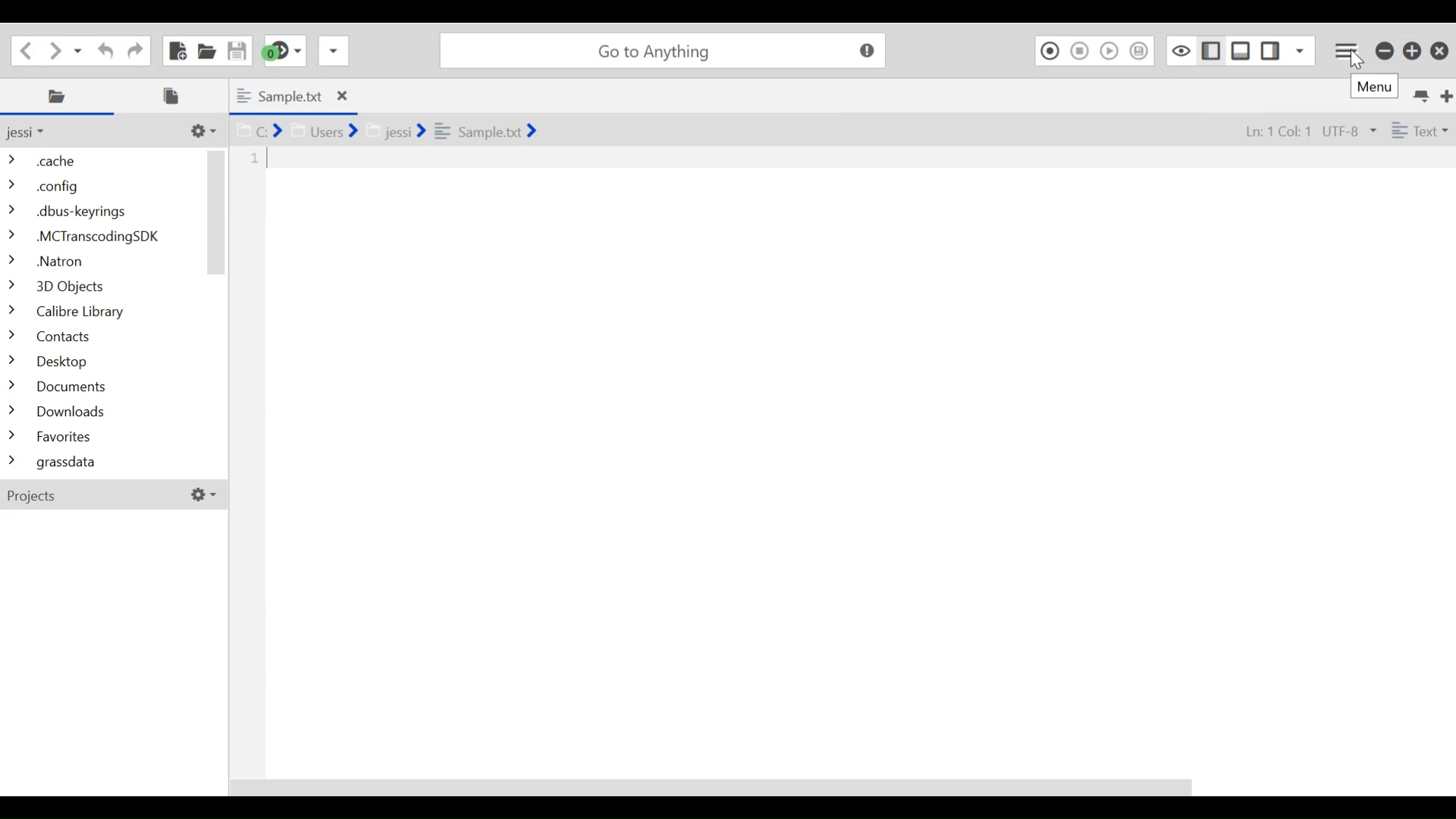 The width and height of the screenshot is (1456, 819). Describe the element at coordinates (206, 49) in the screenshot. I see `Open file` at that location.